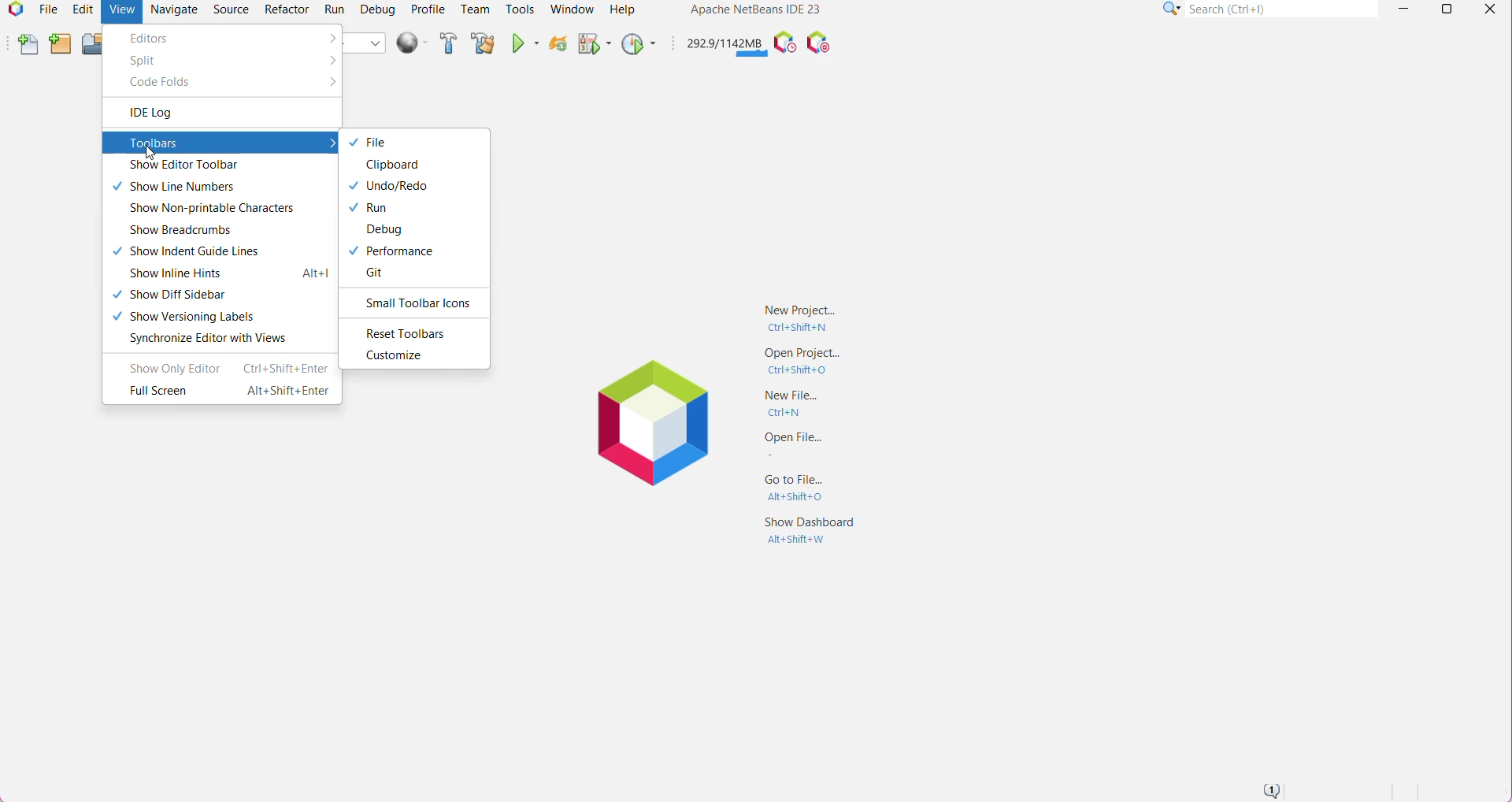  Describe the element at coordinates (202, 165) in the screenshot. I see `Show Editor Toolbar` at that location.